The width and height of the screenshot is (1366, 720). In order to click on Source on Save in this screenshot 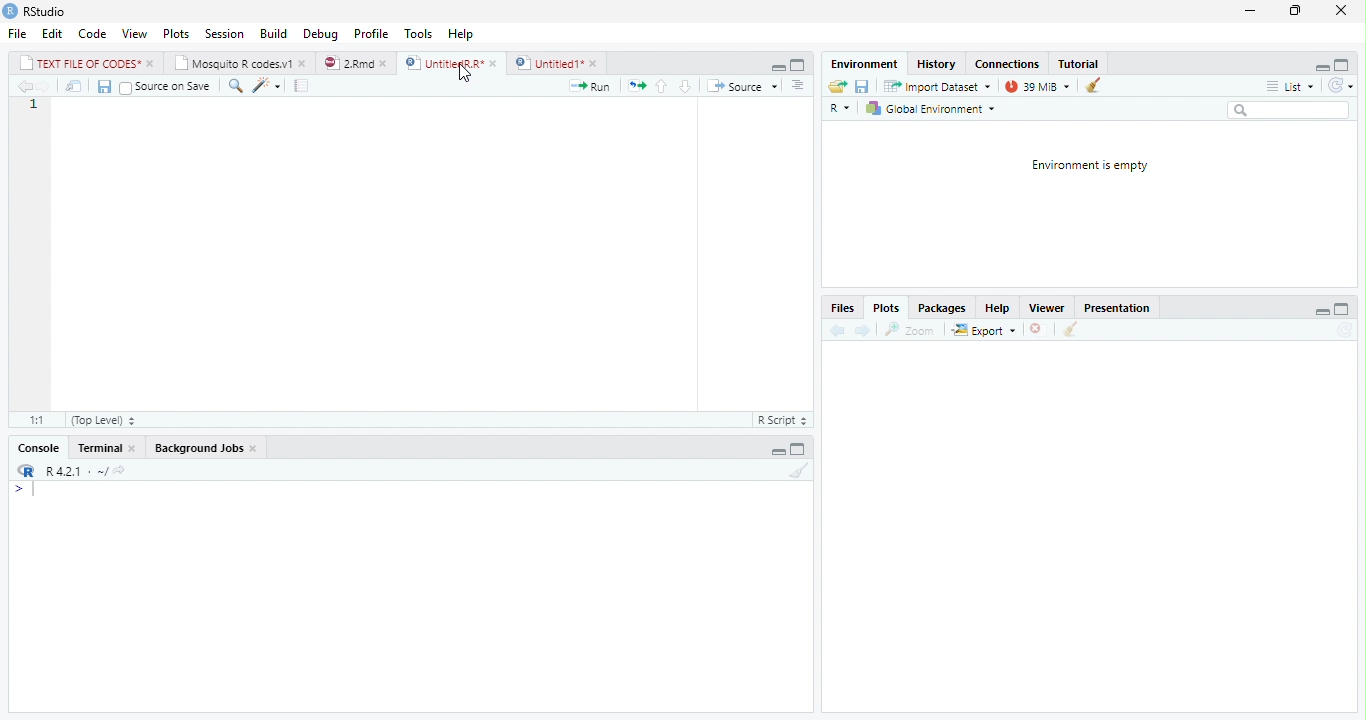, I will do `click(164, 87)`.